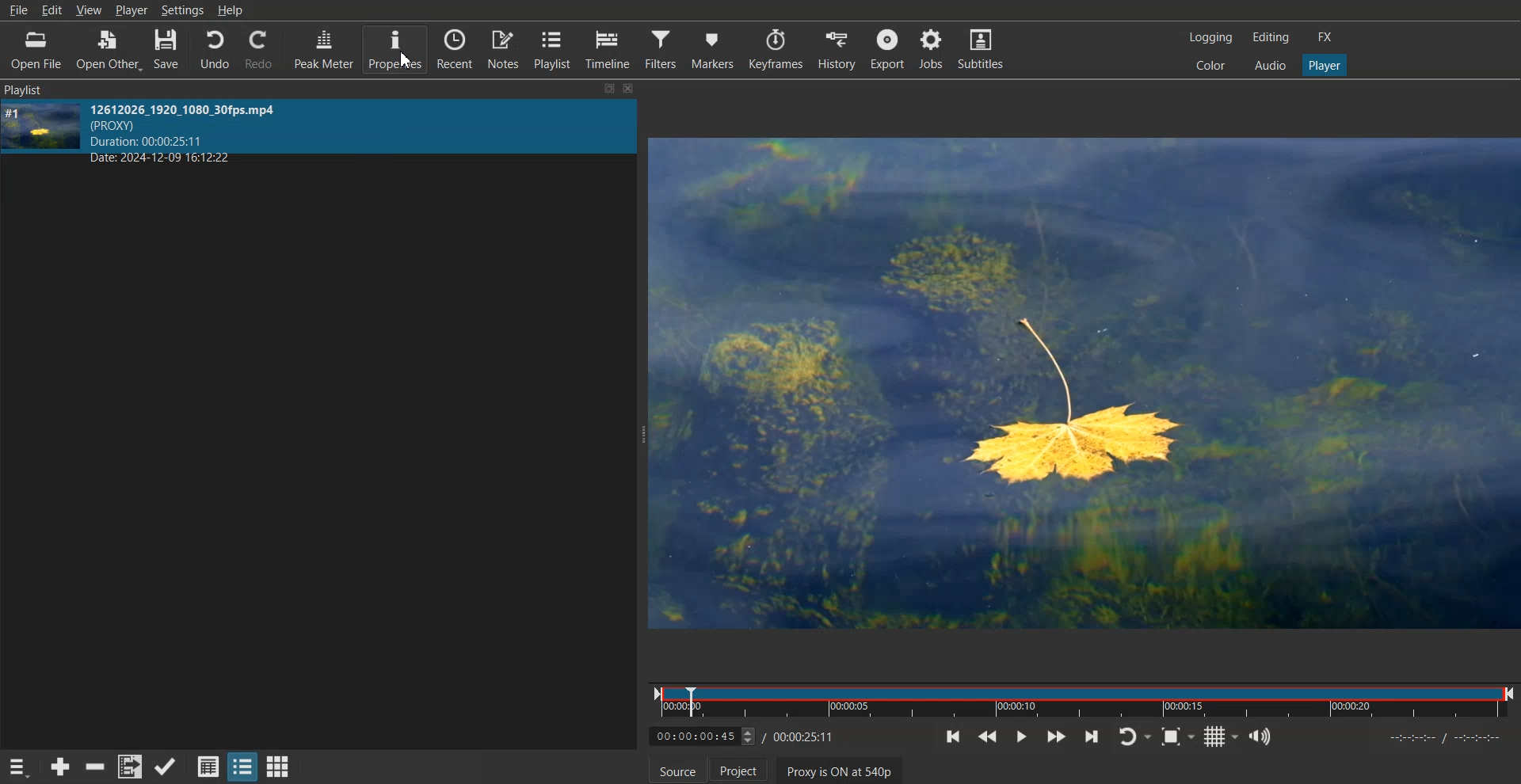  Describe the element at coordinates (738, 769) in the screenshot. I see `Project` at that location.